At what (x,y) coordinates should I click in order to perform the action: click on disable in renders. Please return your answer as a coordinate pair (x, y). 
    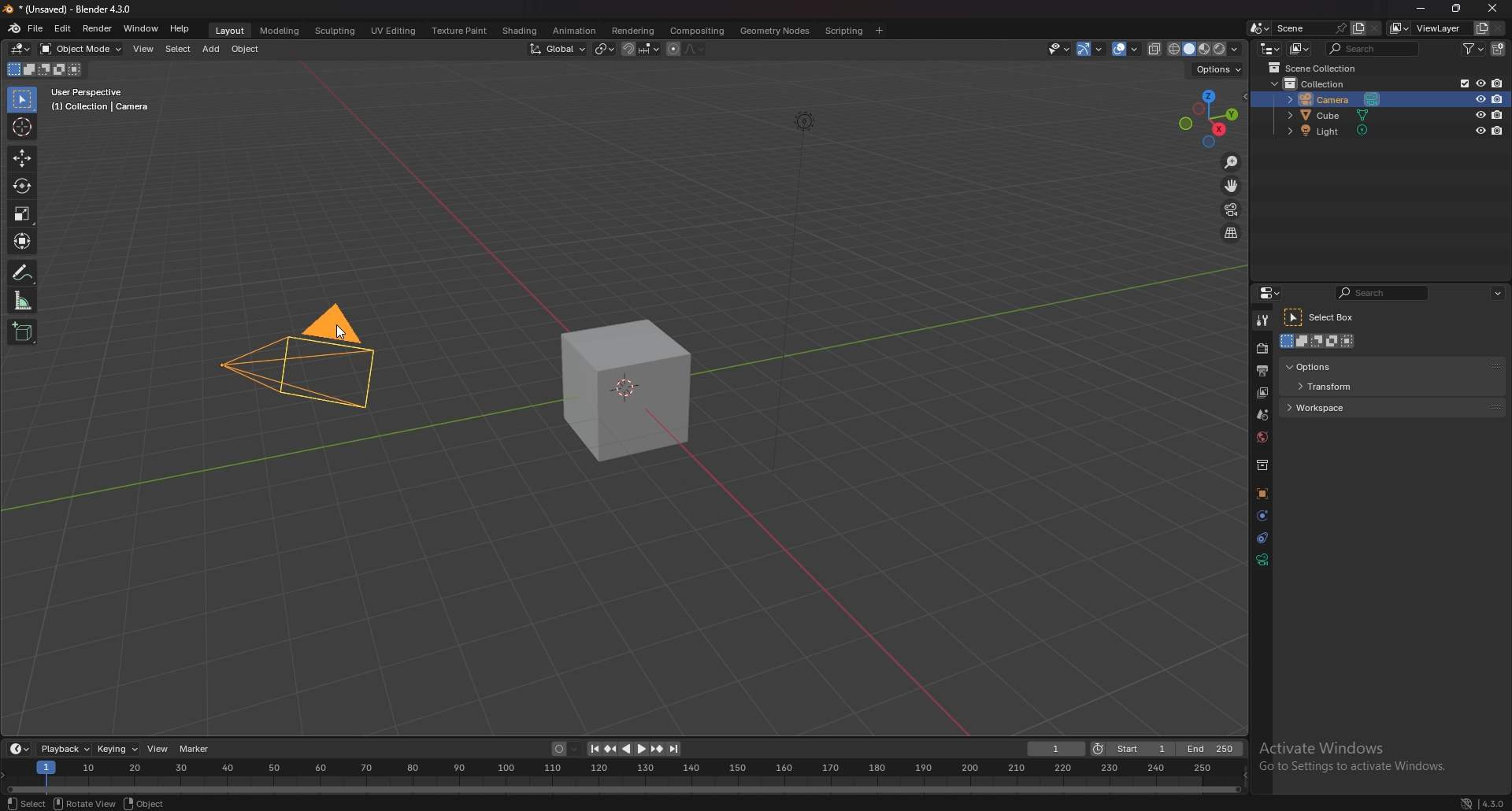
    Looking at the image, I should click on (1496, 132).